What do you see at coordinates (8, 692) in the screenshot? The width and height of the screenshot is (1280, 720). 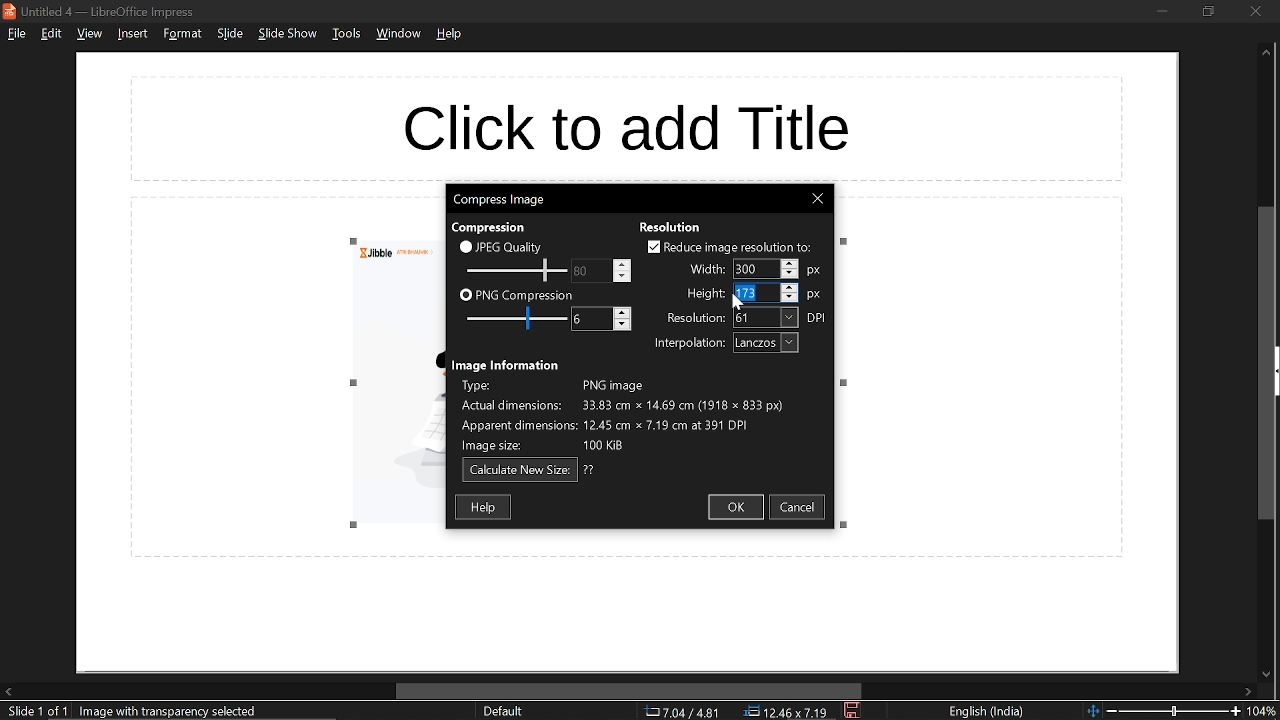 I see `move left` at bounding box center [8, 692].